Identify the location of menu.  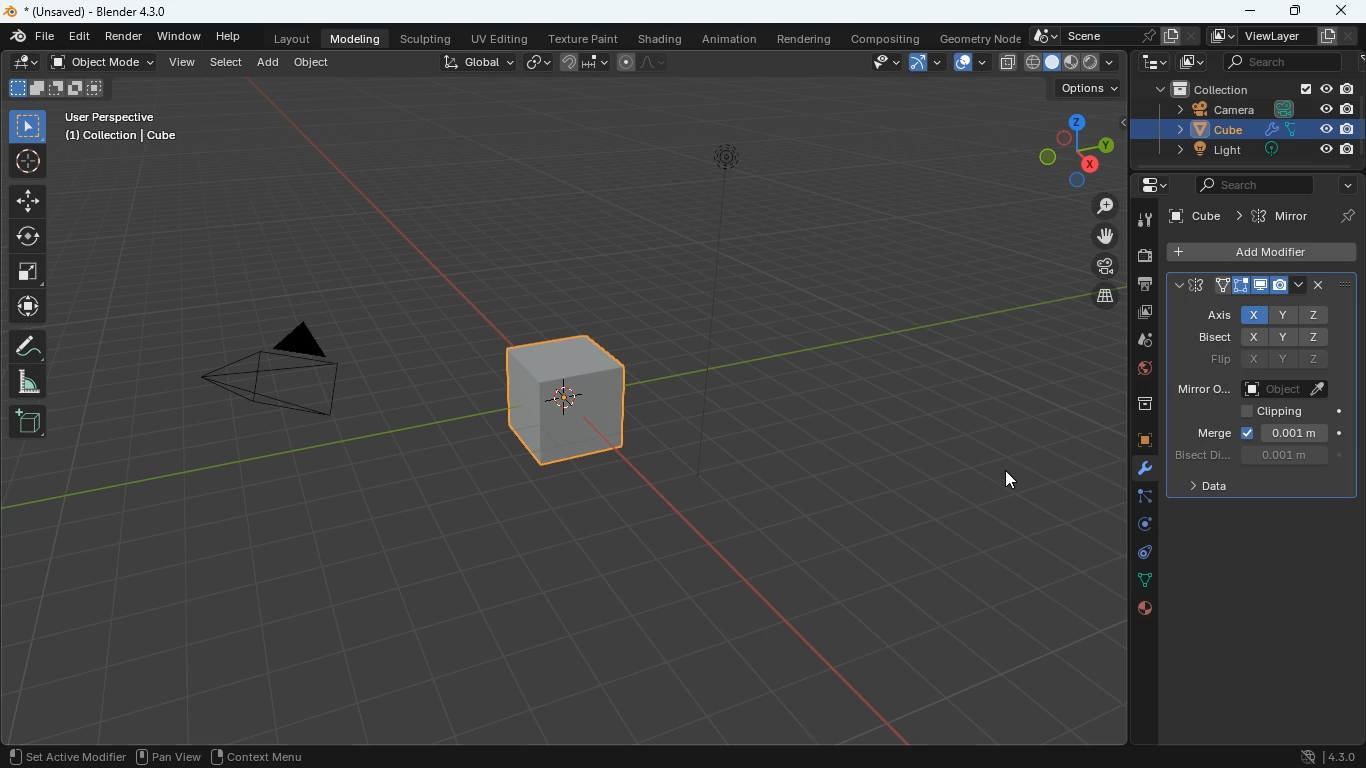
(258, 755).